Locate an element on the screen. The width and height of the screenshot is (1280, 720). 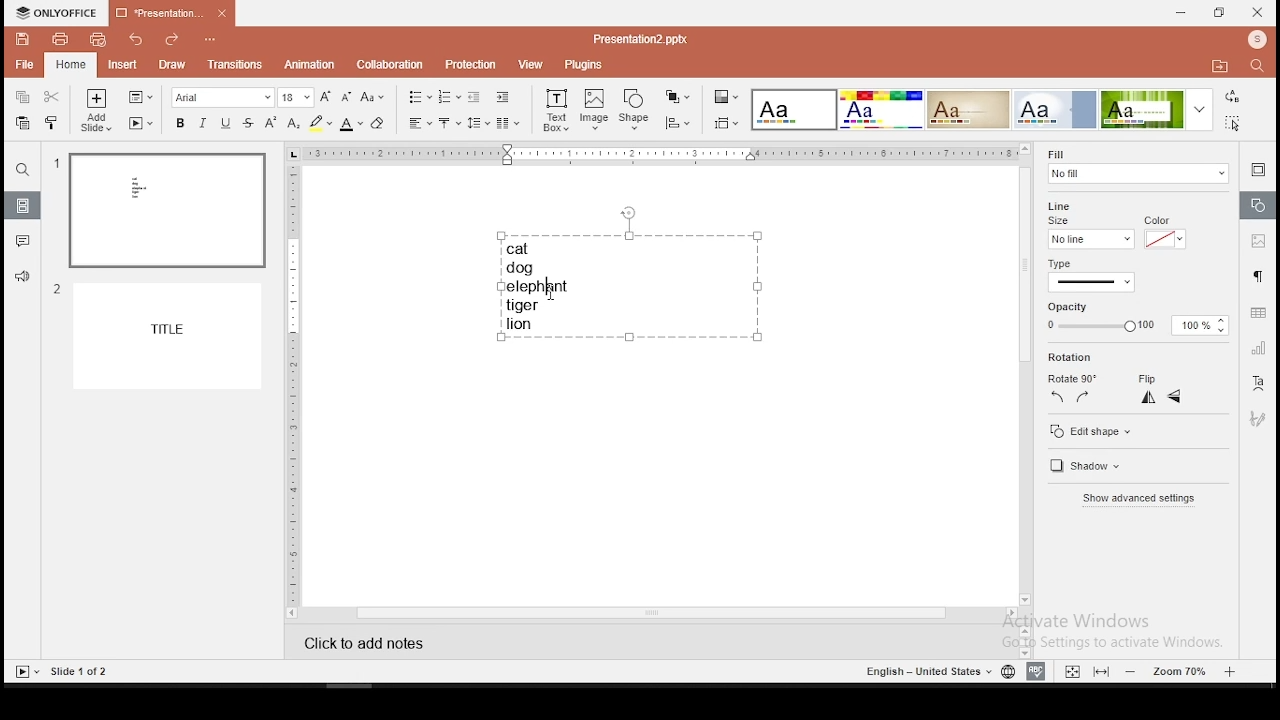
bullets is located at coordinates (419, 97).